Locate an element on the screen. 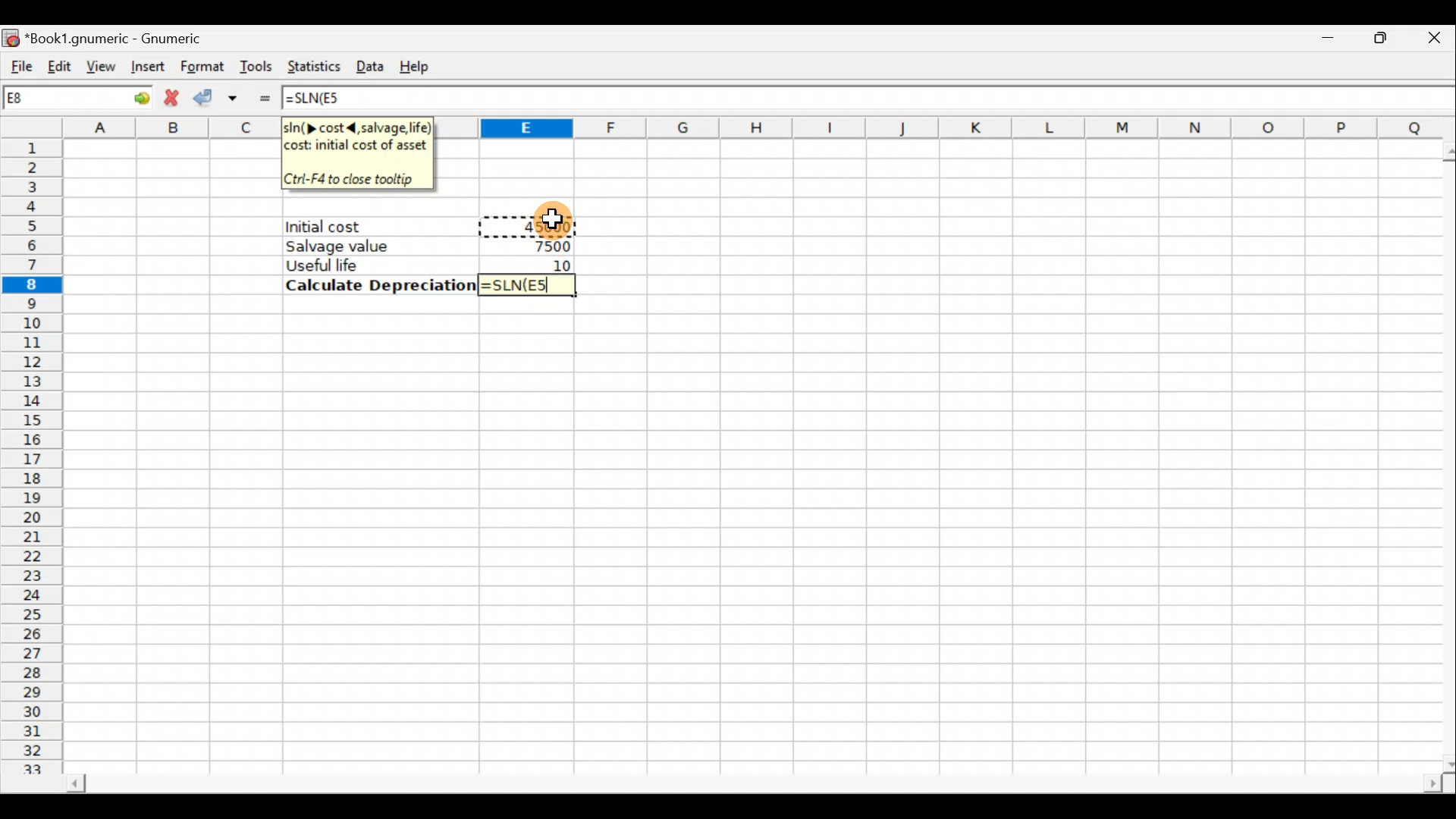  Edit is located at coordinates (60, 62).